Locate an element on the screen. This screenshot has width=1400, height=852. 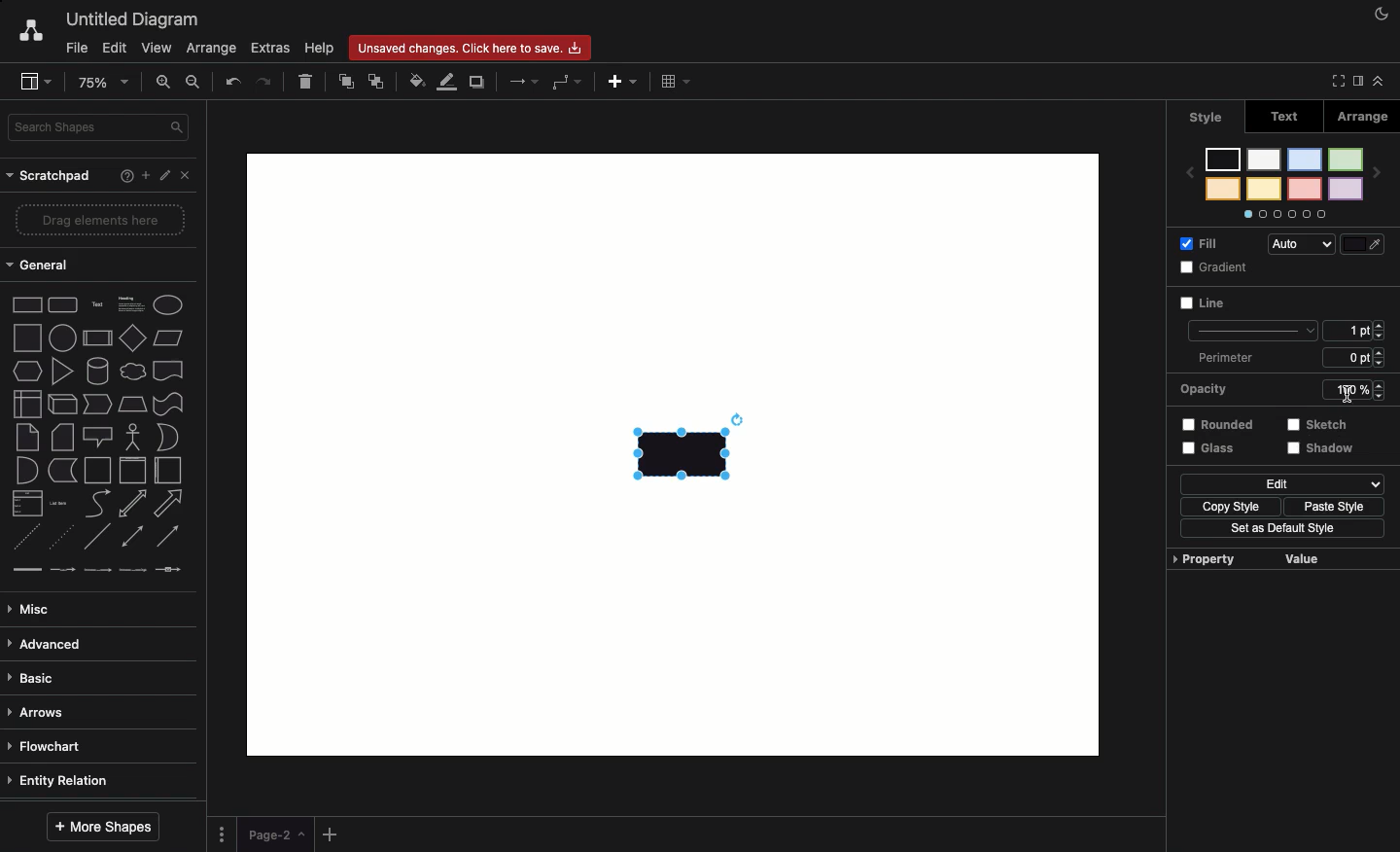
process is located at coordinates (96, 339).